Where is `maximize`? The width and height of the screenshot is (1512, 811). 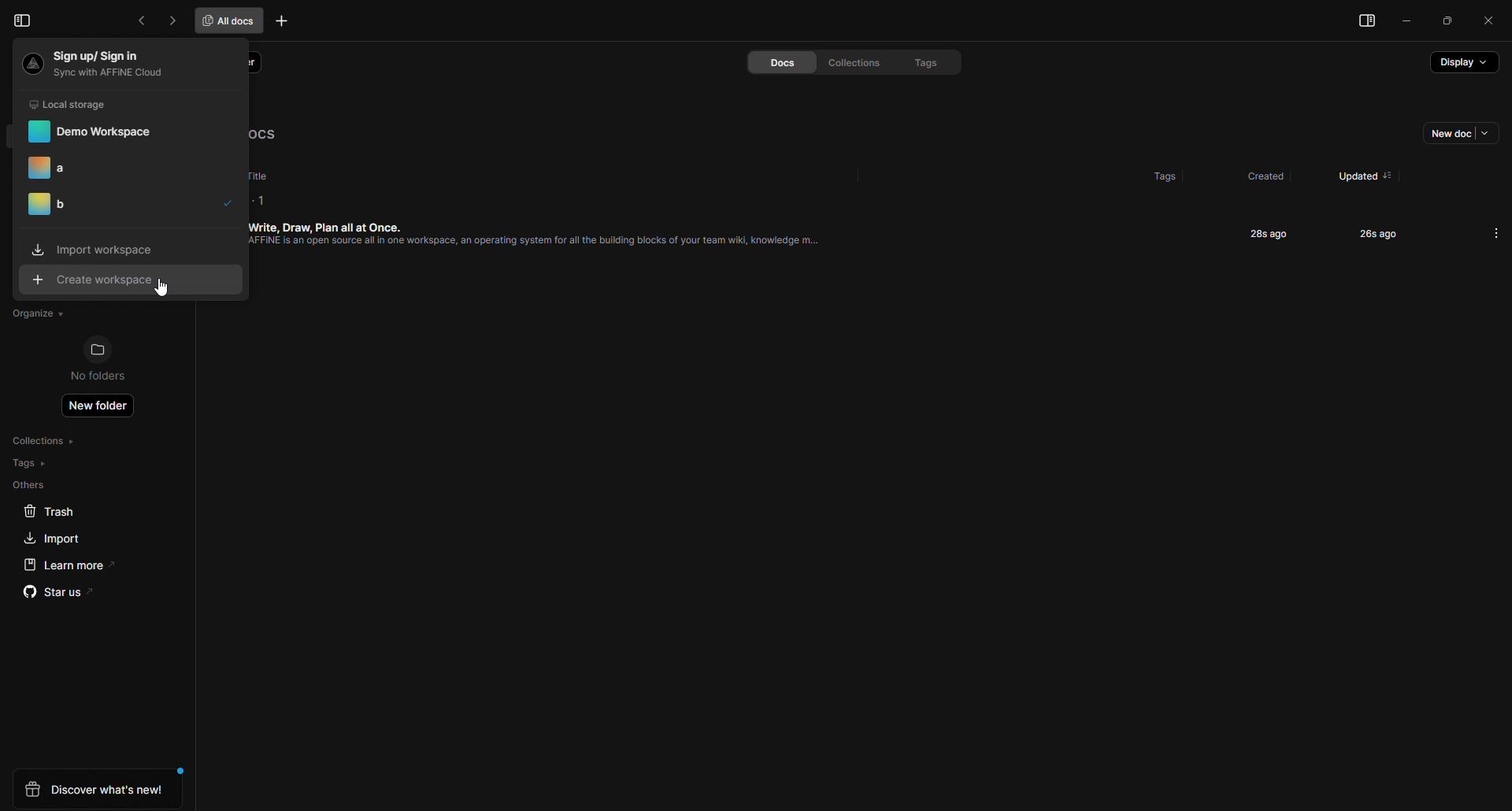 maximize is located at coordinates (1448, 21).